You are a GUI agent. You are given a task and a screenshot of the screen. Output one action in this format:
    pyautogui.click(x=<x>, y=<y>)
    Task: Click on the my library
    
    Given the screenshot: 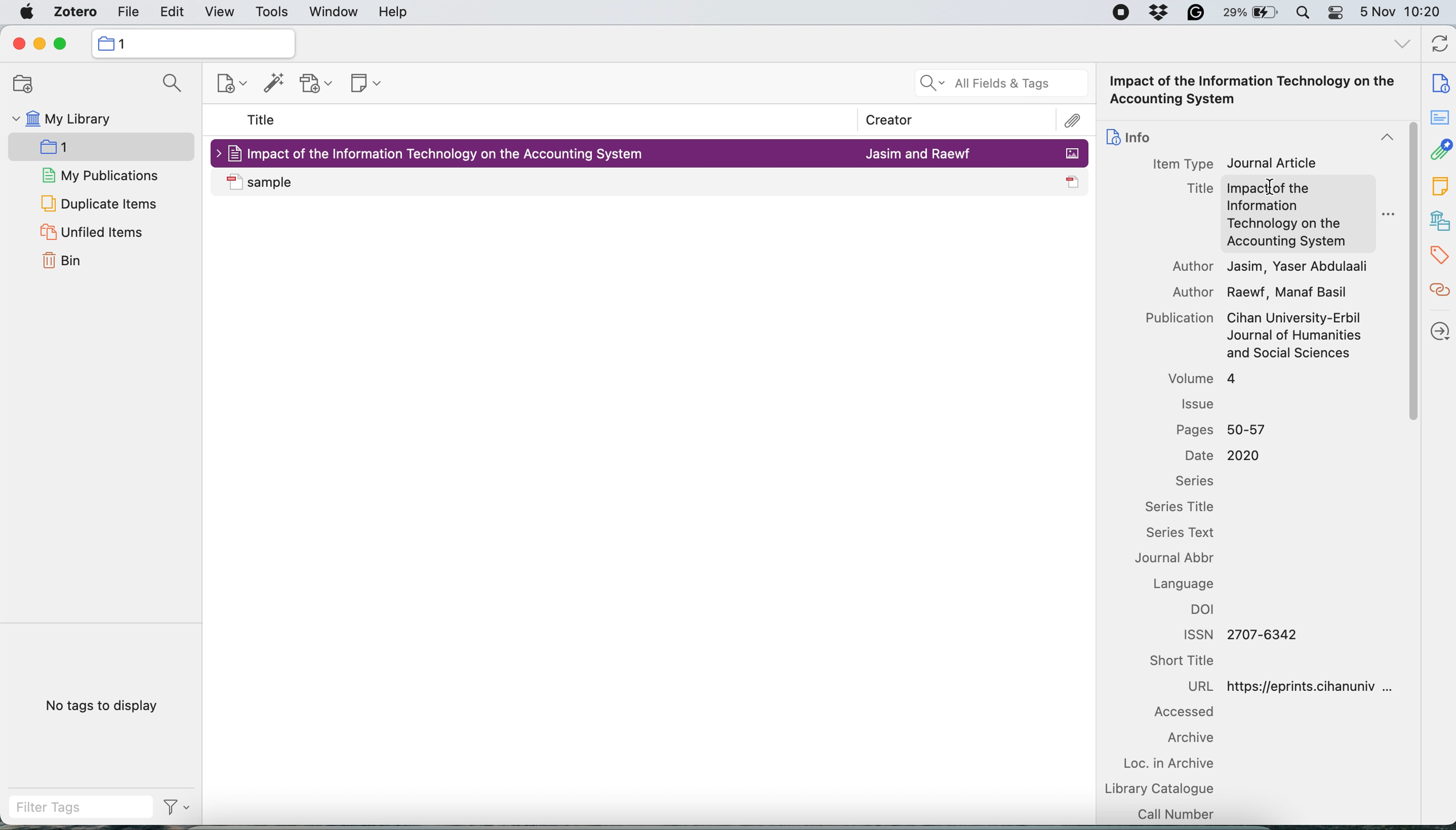 What is the action you would take?
    pyautogui.click(x=63, y=117)
    